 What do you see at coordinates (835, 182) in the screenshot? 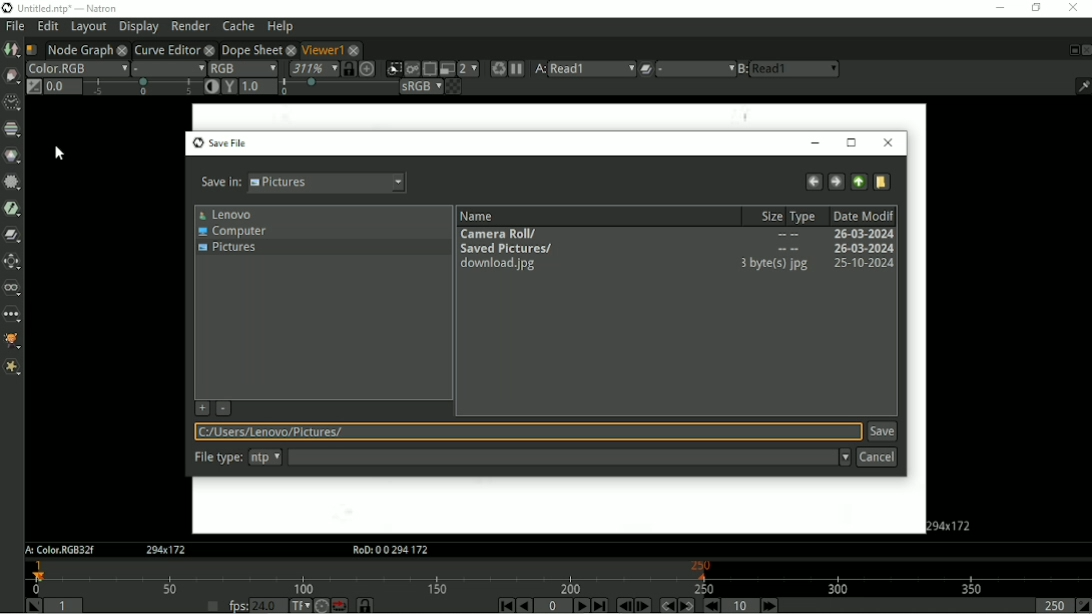
I see `Go forward` at bounding box center [835, 182].